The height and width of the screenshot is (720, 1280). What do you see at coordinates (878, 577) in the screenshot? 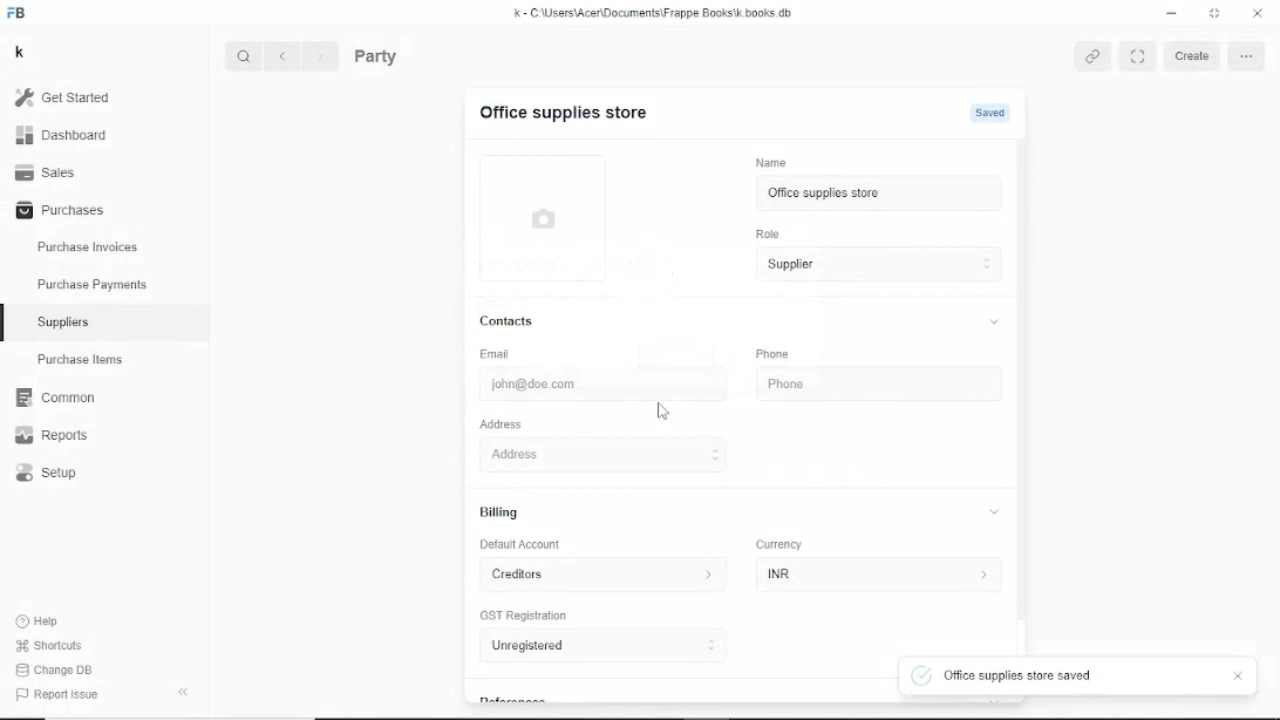
I see `INR` at bounding box center [878, 577].